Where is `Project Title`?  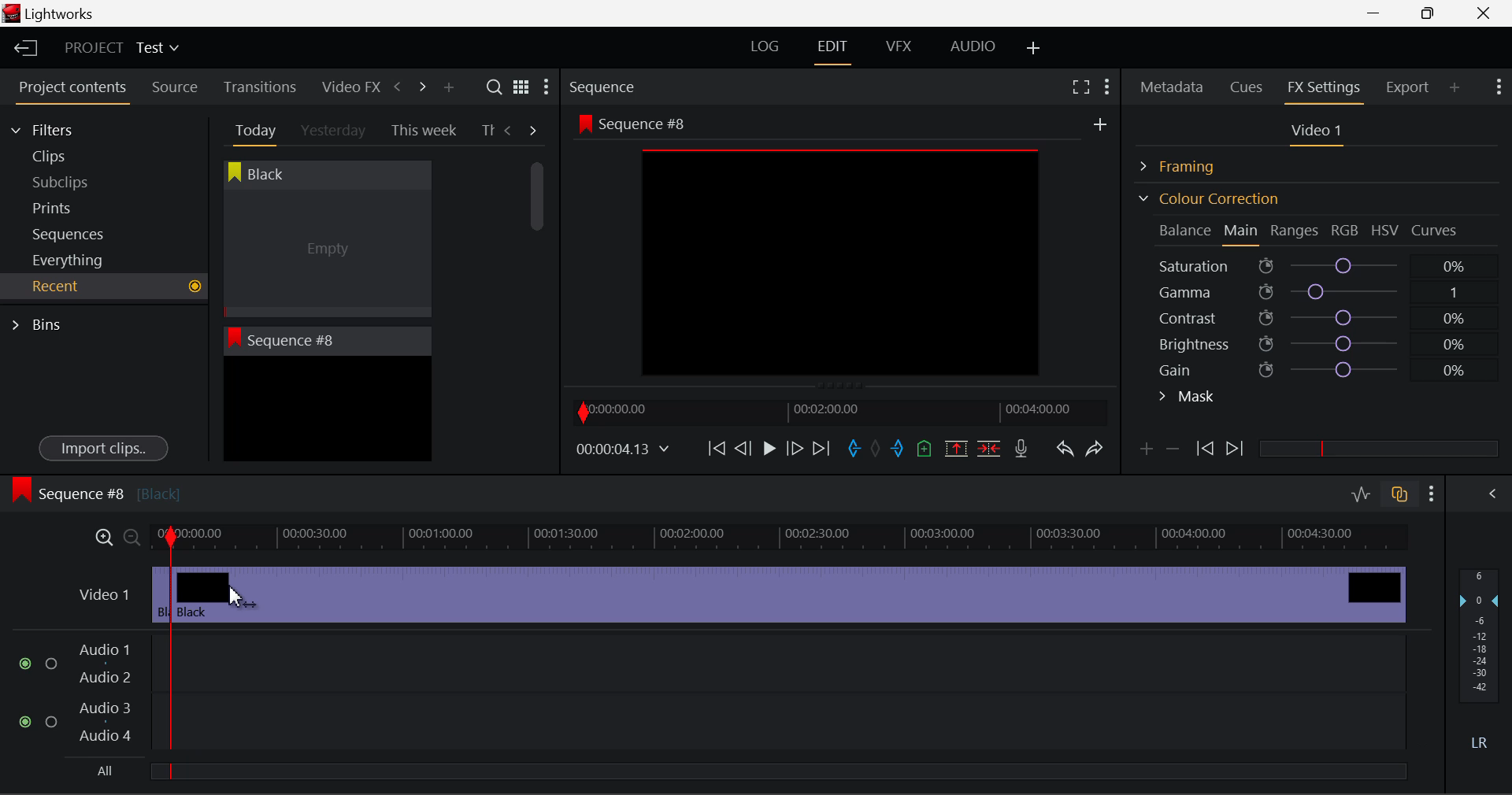 Project Title is located at coordinates (122, 49).